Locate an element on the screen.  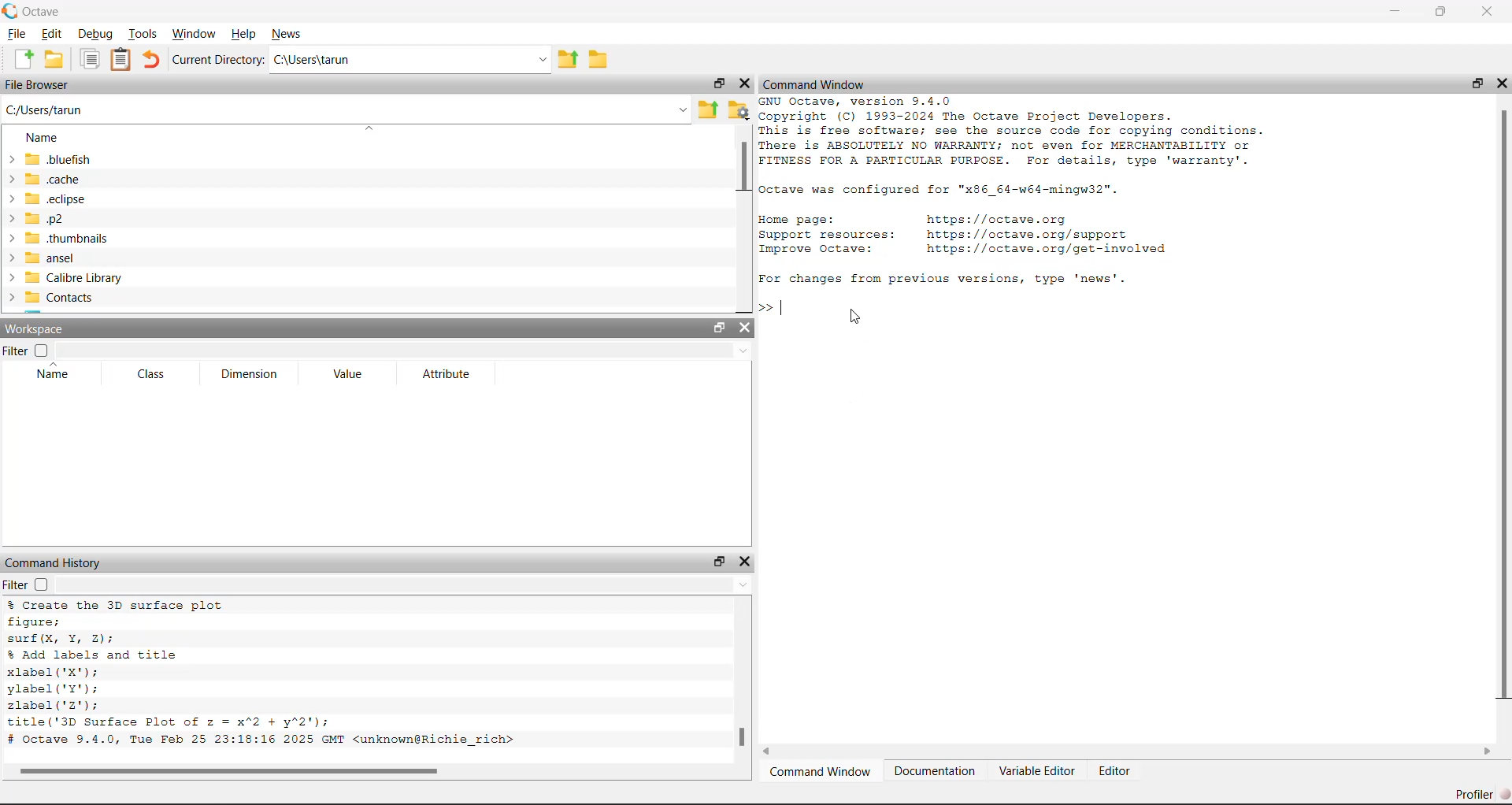
Scroll is located at coordinates (744, 689).